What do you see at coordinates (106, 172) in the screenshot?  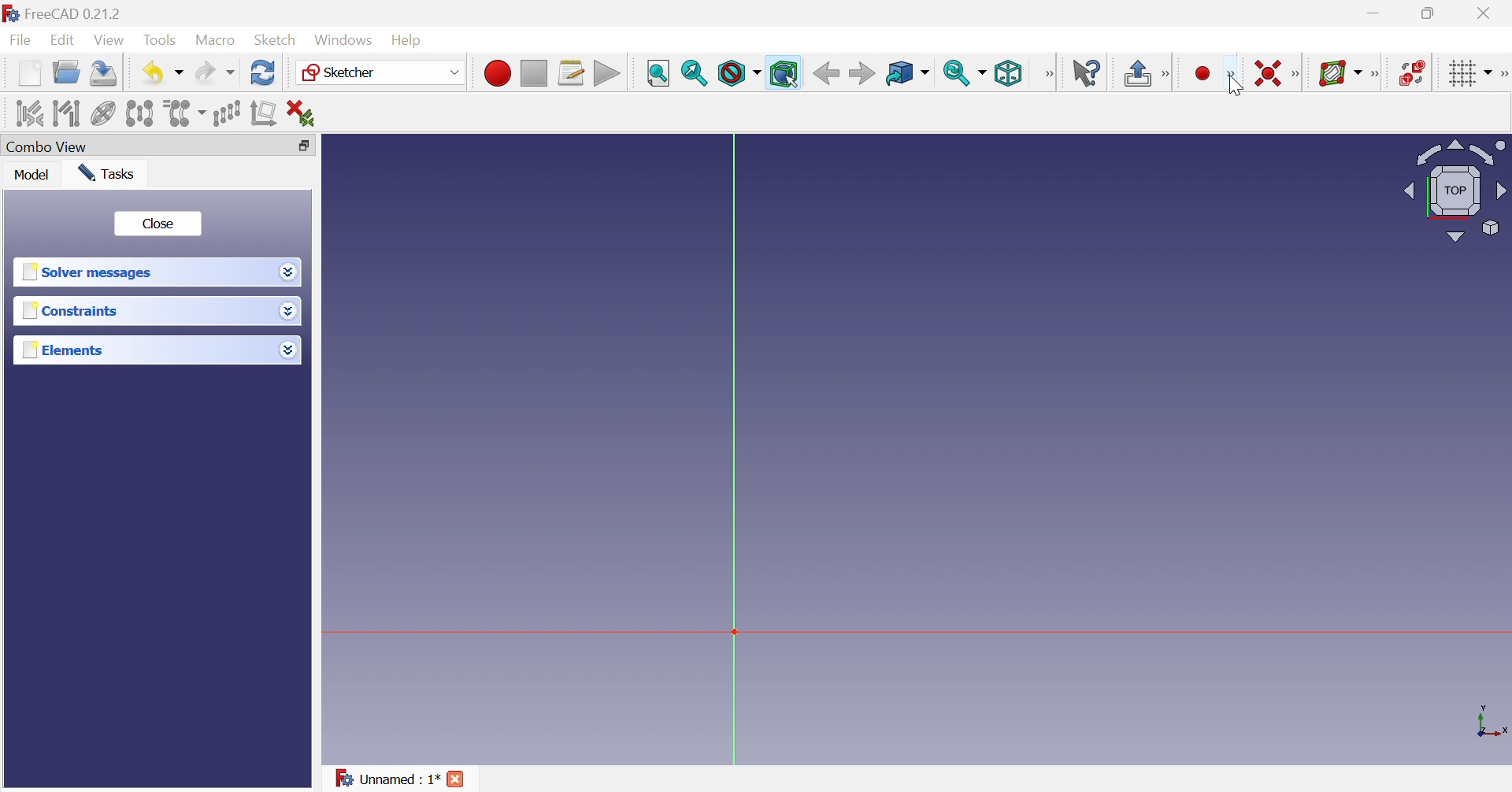 I see `Tasks` at bounding box center [106, 172].